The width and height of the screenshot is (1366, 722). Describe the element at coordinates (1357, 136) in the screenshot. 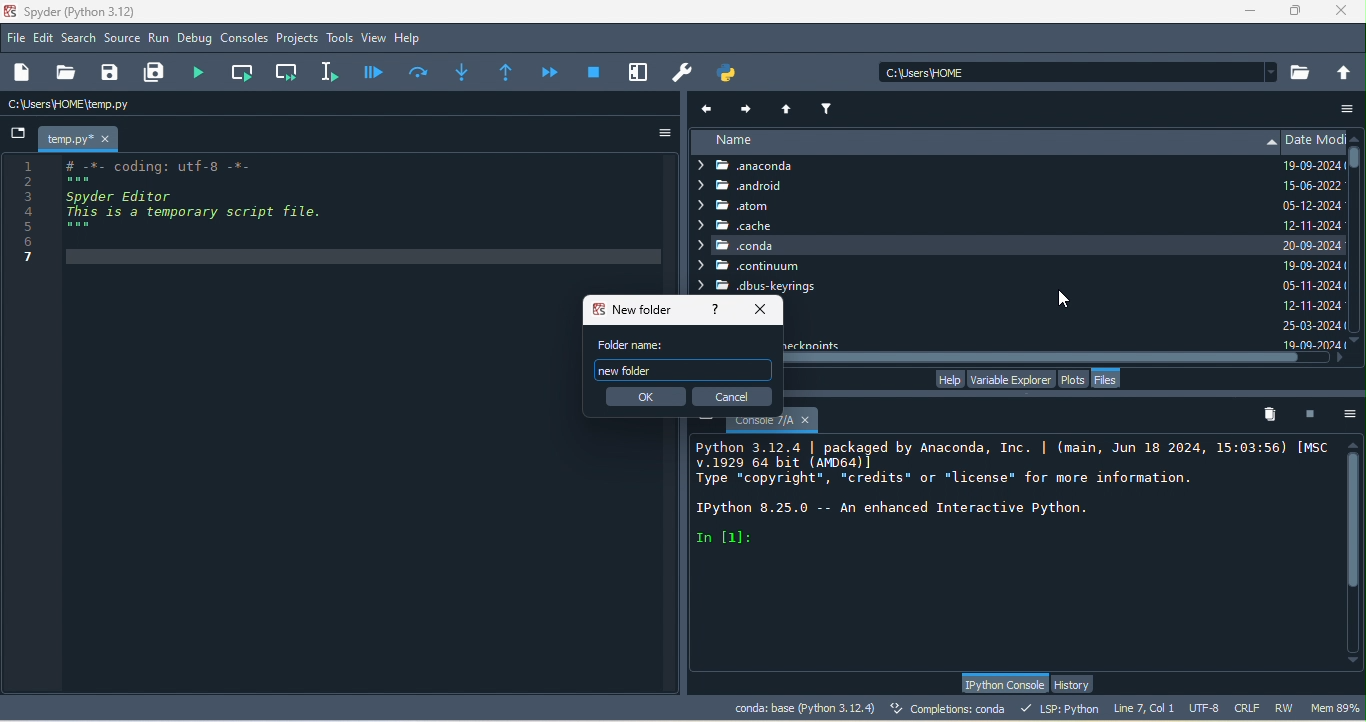

I see `scroll up` at that location.